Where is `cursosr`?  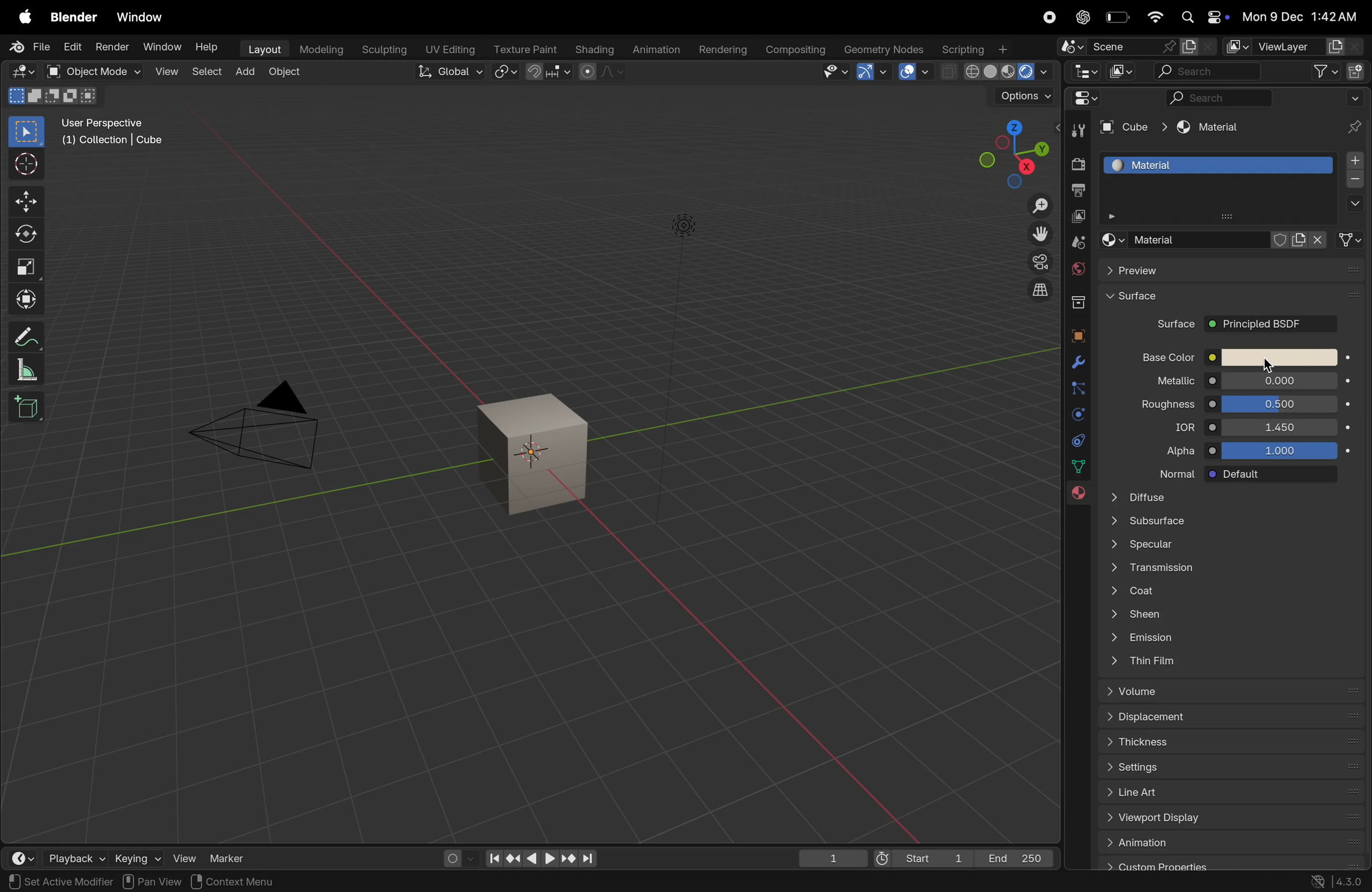 cursosr is located at coordinates (22, 165).